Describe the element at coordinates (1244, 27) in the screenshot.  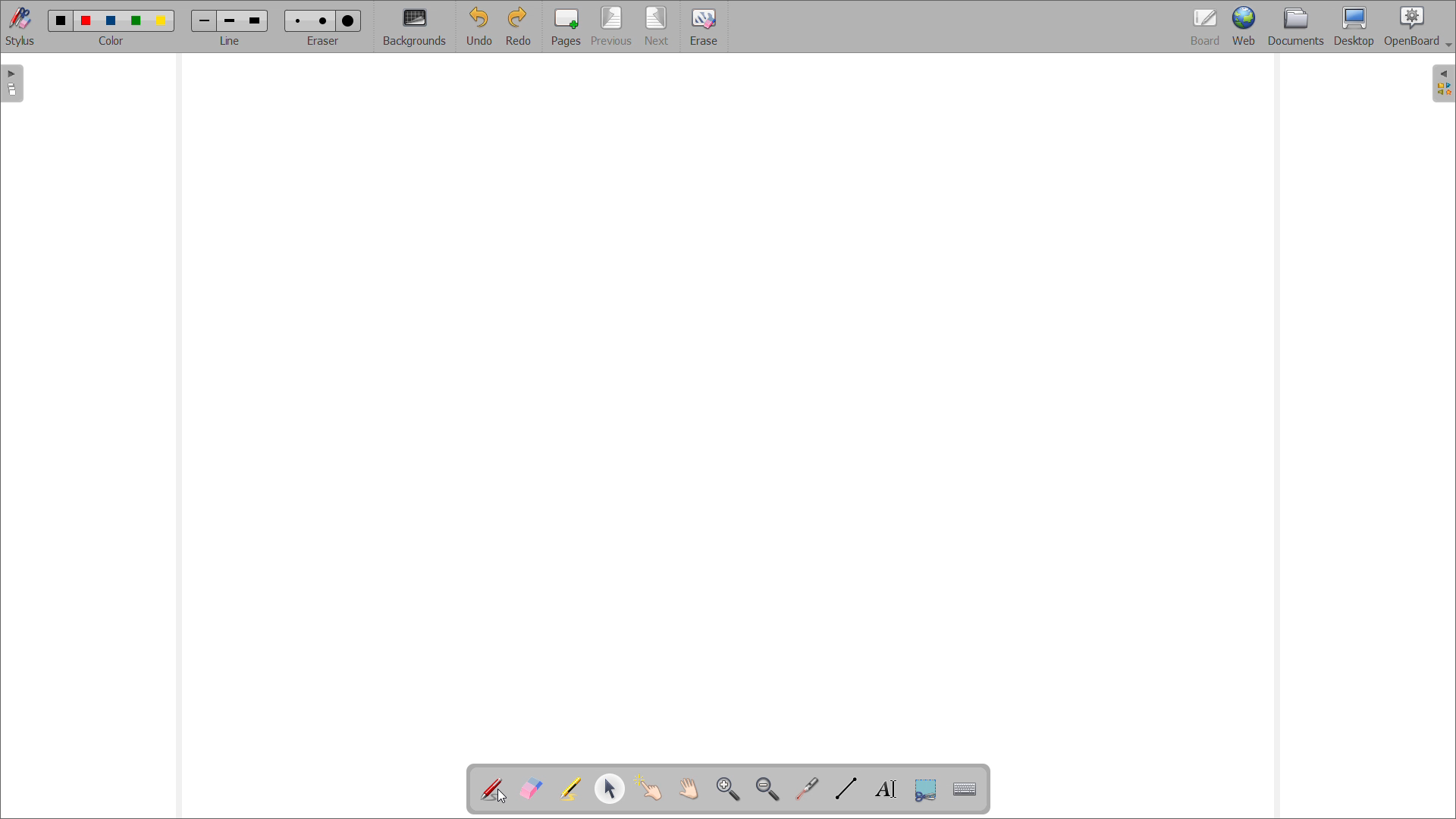
I see `web` at that location.